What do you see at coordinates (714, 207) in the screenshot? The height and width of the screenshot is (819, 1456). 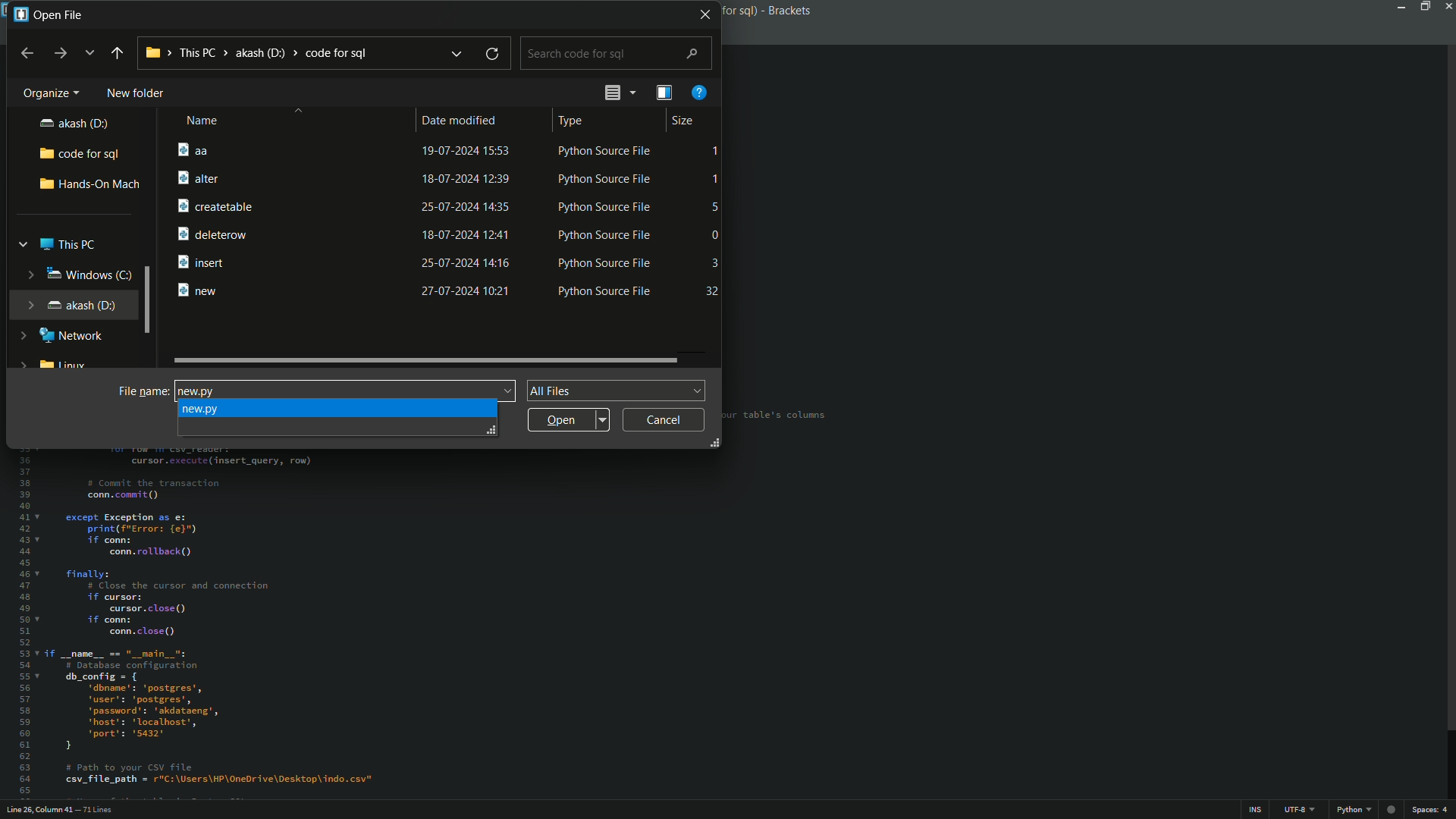 I see `5` at bounding box center [714, 207].